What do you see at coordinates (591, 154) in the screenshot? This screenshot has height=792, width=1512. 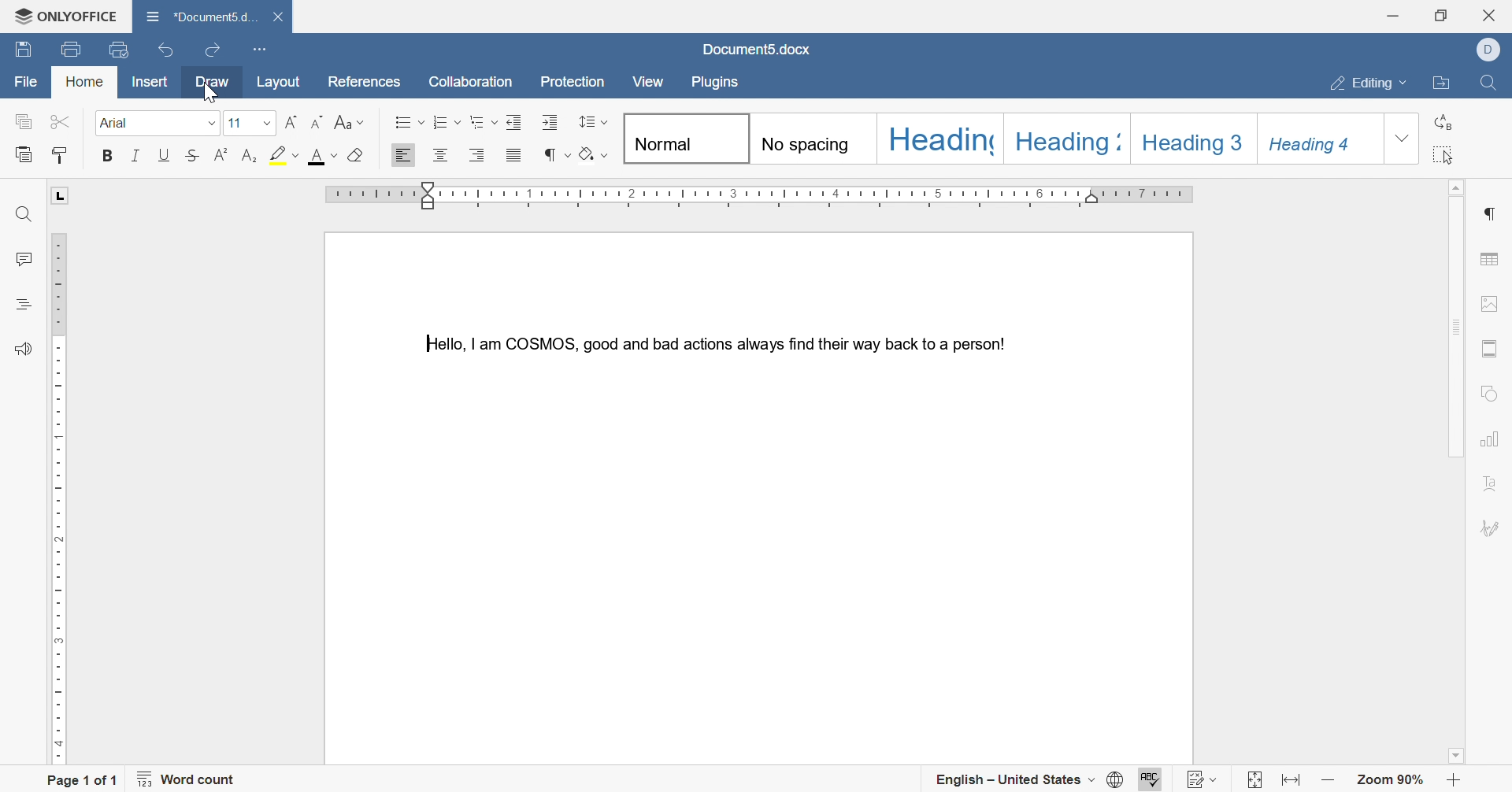 I see `shading` at bounding box center [591, 154].